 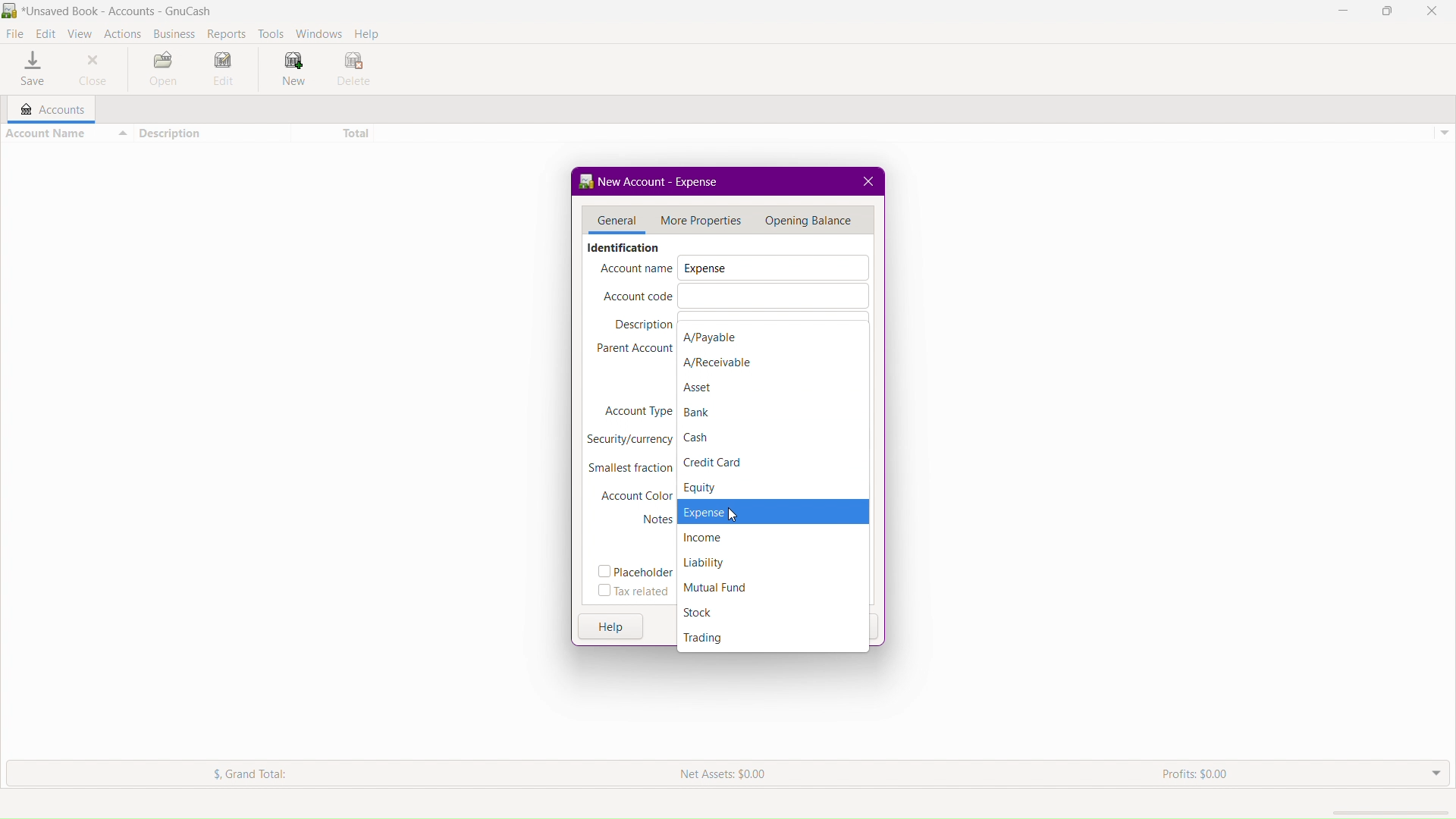 What do you see at coordinates (737, 516) in the screenshot?
I see `cursor` at bounding box center [737, 516].